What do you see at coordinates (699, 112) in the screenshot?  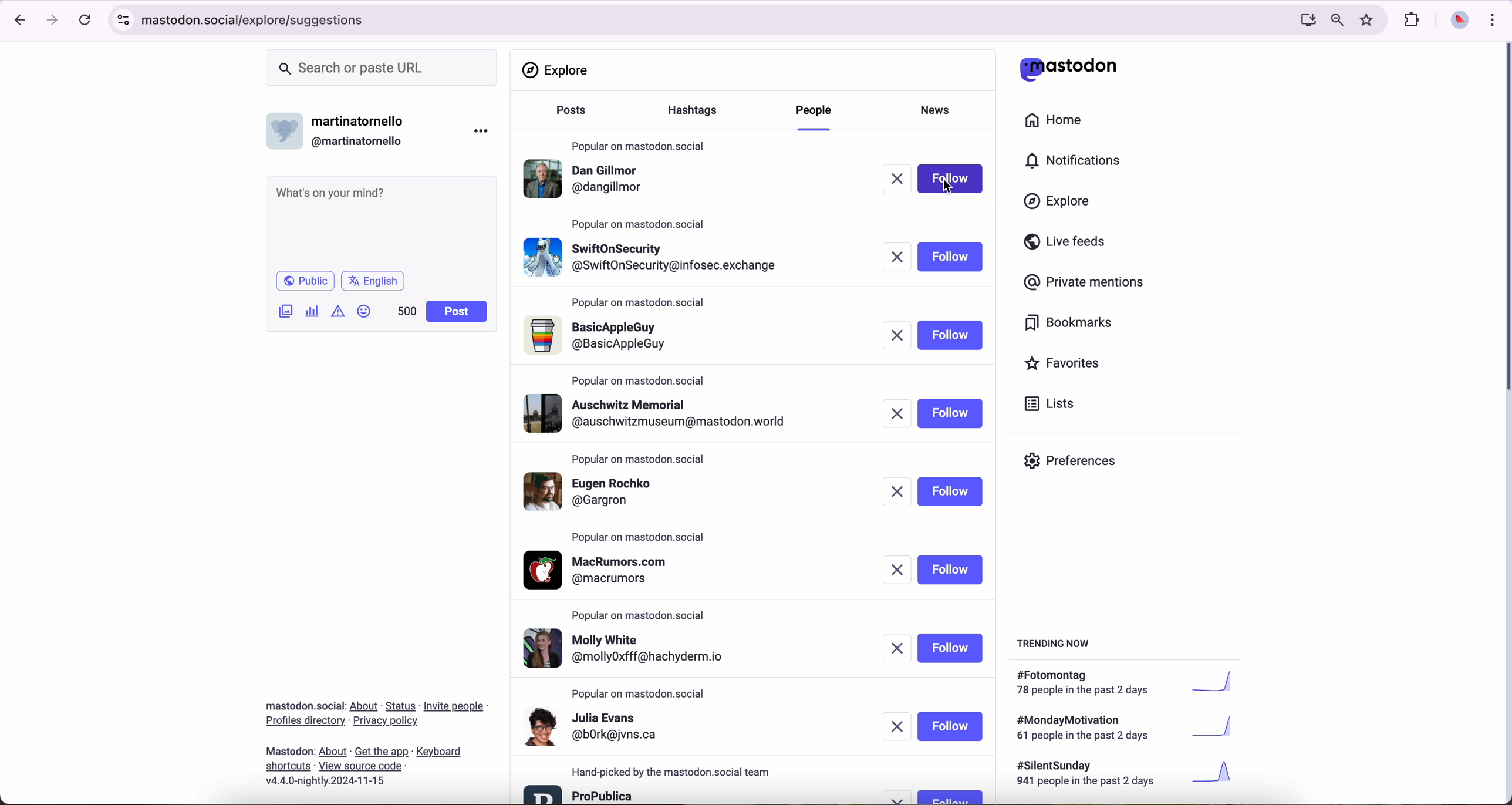 I see `hasgtags` at bounding box center [699, 112].